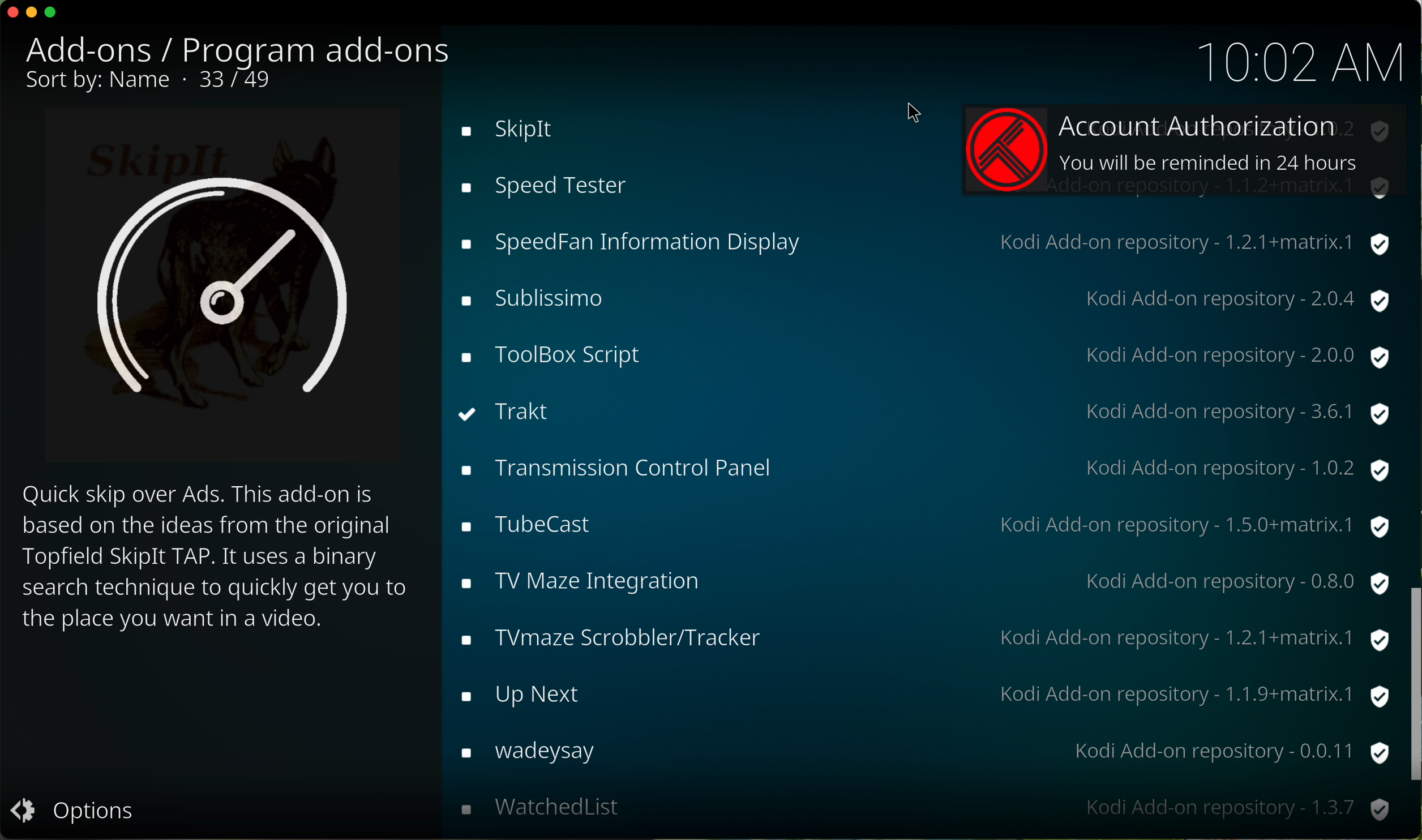 The width and height of the screenshot is (1422, 840). What do you see at coordinates (922, 751) in the screenshot?
I see `wikipedia` at bounding box center [922, 751].